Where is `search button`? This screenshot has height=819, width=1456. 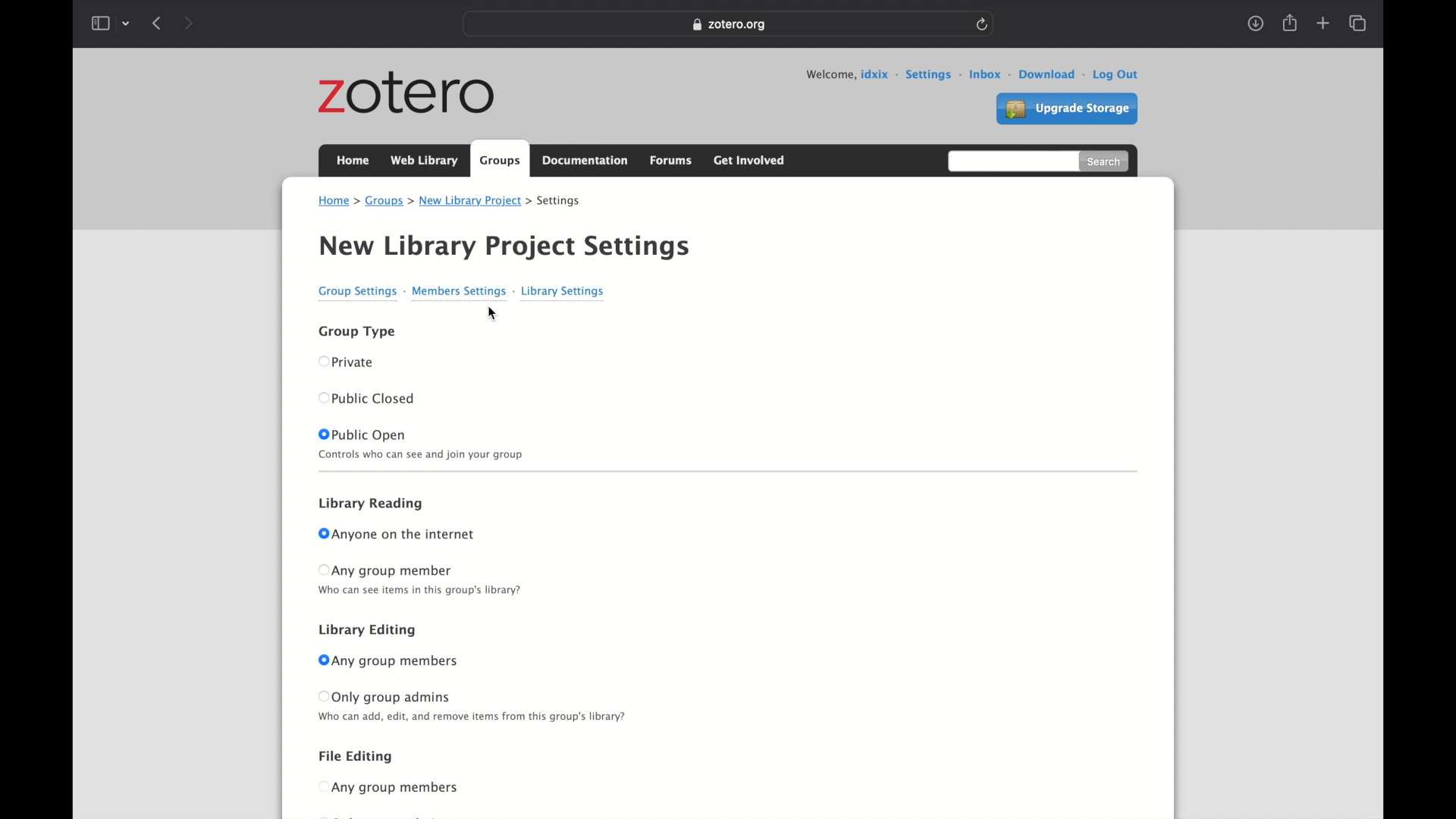 search button is located at coordinates (1105, 162).